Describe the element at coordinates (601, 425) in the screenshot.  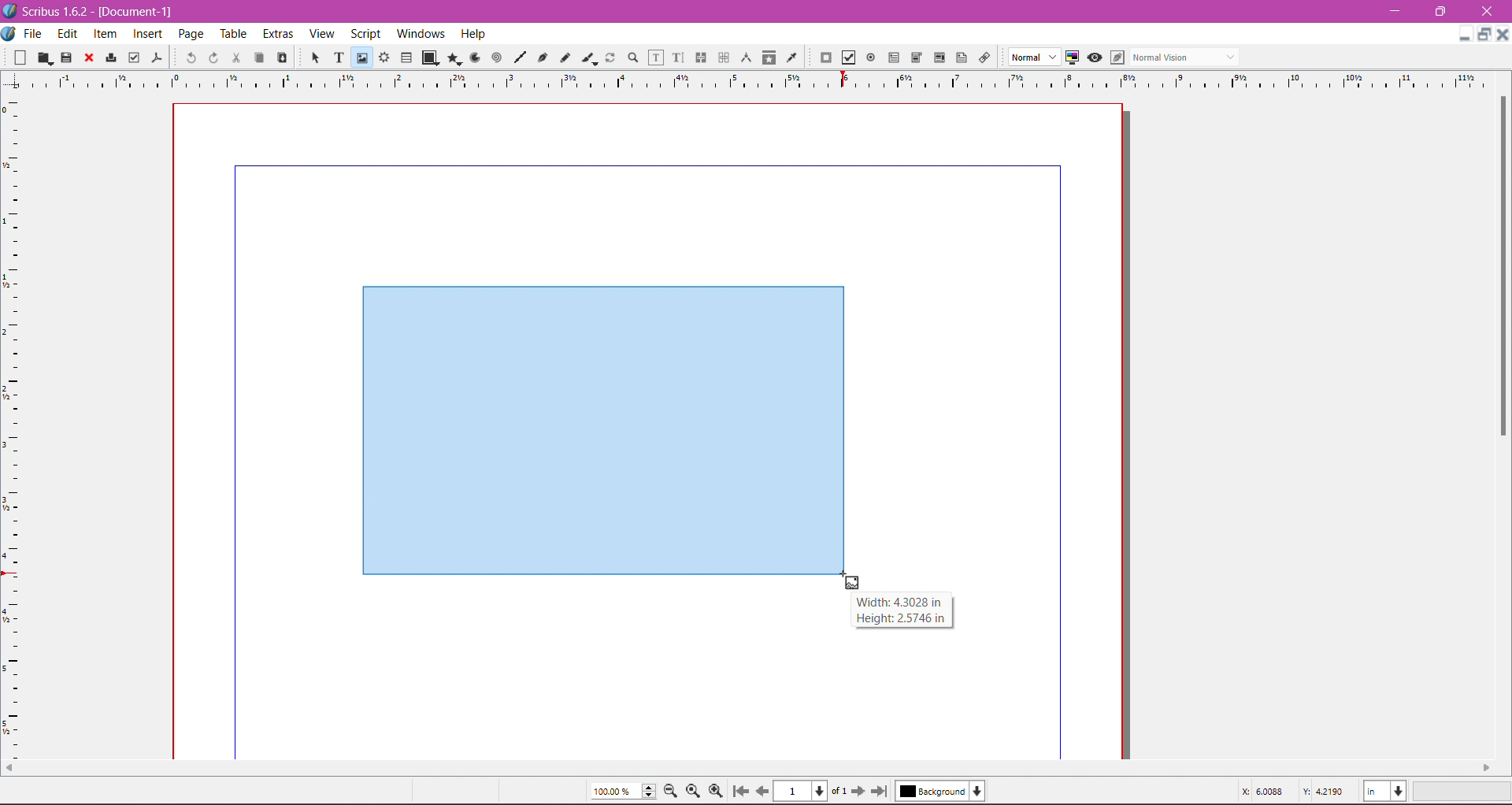
I see `Image frame ` at that location.